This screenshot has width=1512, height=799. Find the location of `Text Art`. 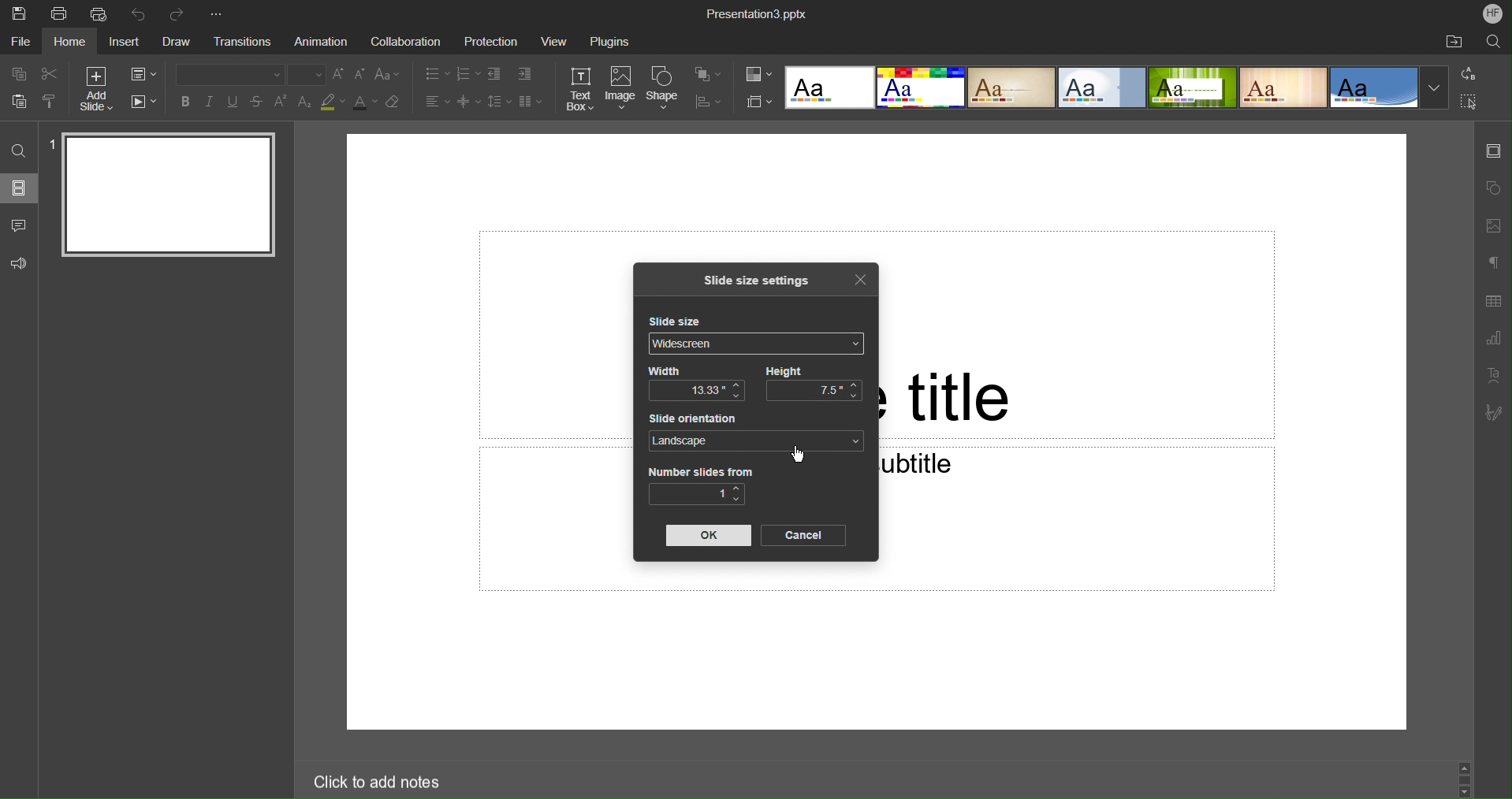

Text Art is located at coordinates (1493, 376).